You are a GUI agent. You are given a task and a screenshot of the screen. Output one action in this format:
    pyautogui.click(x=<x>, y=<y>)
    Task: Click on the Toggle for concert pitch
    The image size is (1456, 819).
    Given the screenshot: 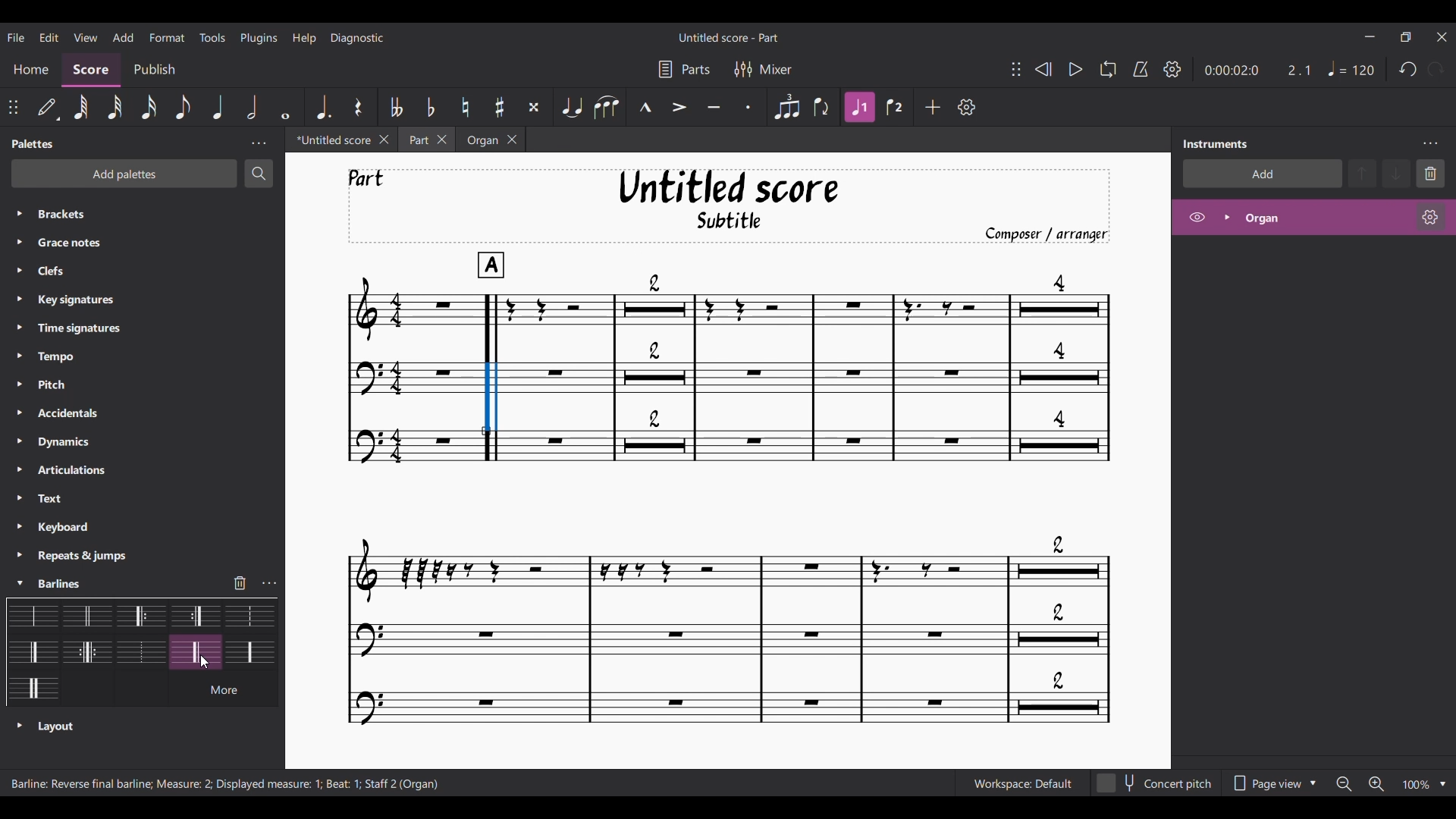 What is the action you would take?
    pyautogui.click(x=1156, y=784)
    